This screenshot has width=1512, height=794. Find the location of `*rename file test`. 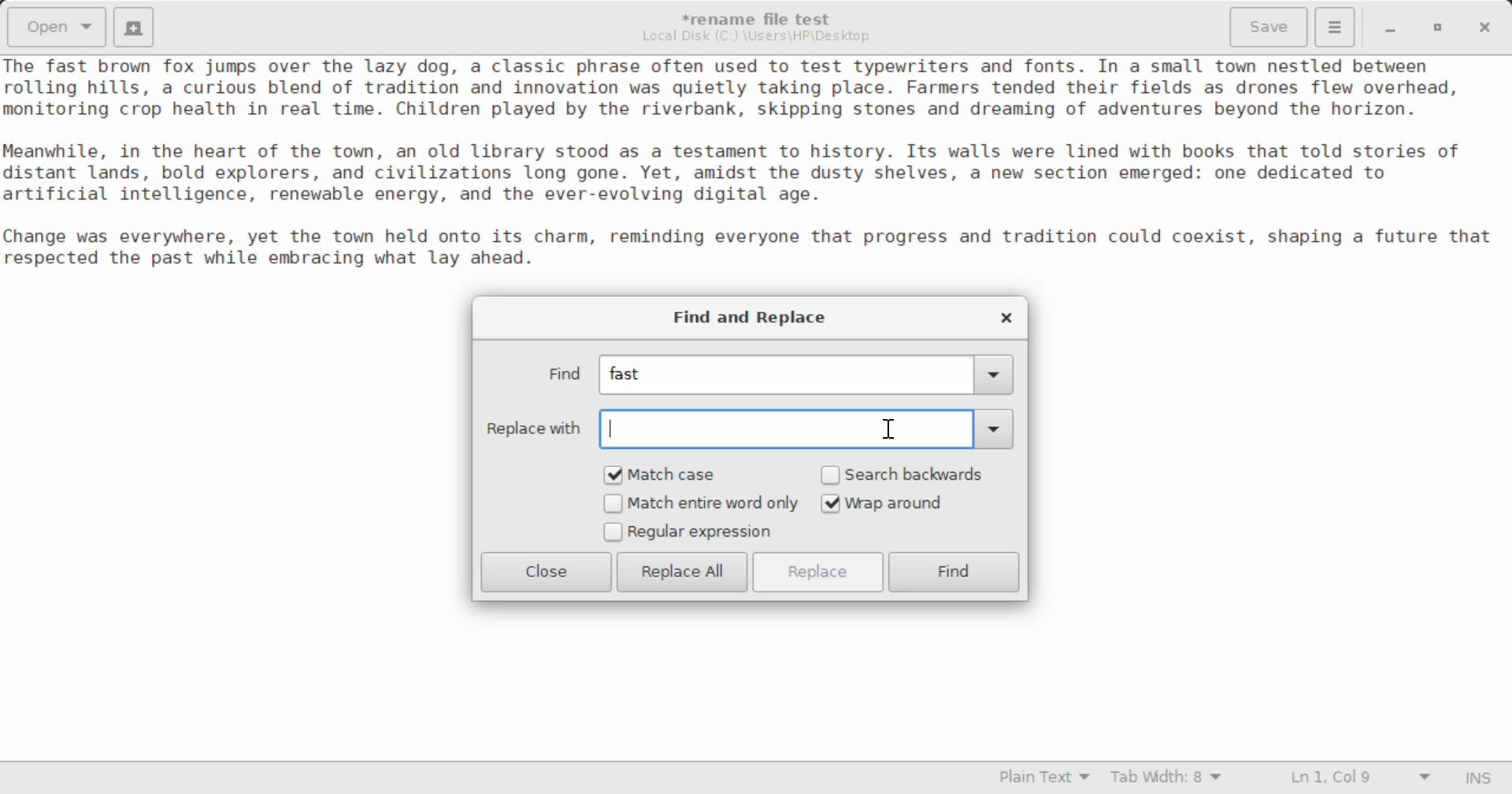

*rename file test is located at coordinates (766, 19).